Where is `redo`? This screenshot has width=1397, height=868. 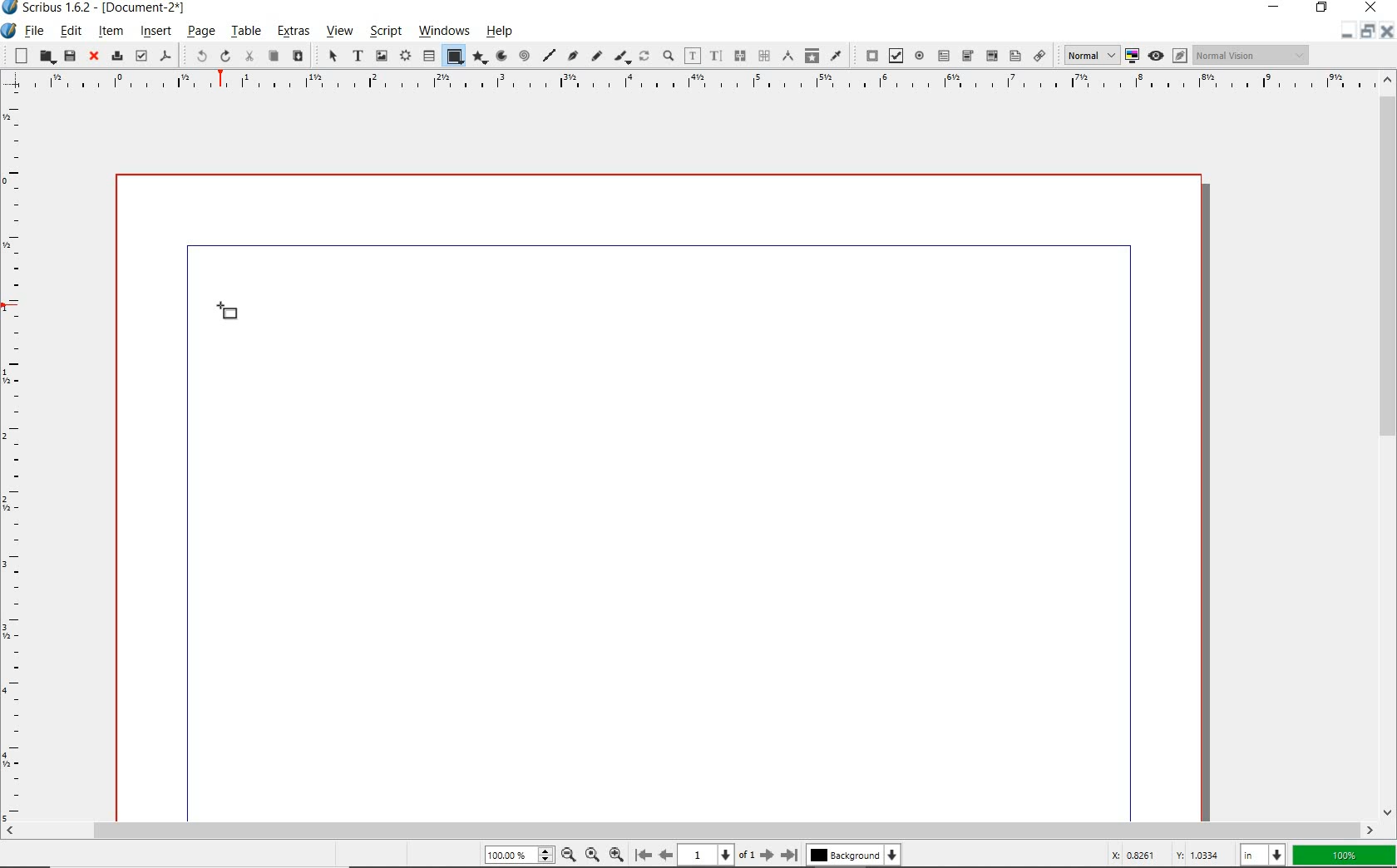
redo is located at coordinates (225, 56).